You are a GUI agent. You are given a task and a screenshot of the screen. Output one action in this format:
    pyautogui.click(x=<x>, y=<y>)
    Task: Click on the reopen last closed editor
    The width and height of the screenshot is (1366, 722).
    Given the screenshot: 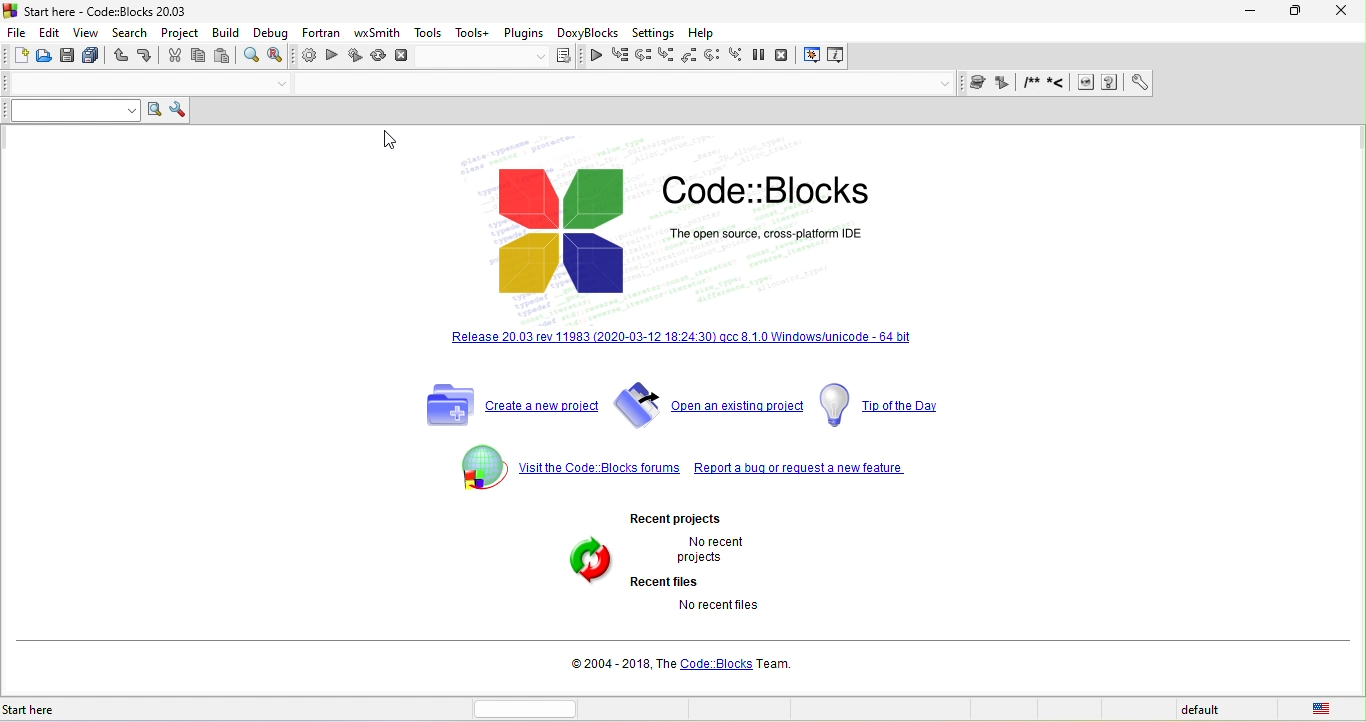 What is the action you would take?
    pyautogui.click(x=227, y=546)
    